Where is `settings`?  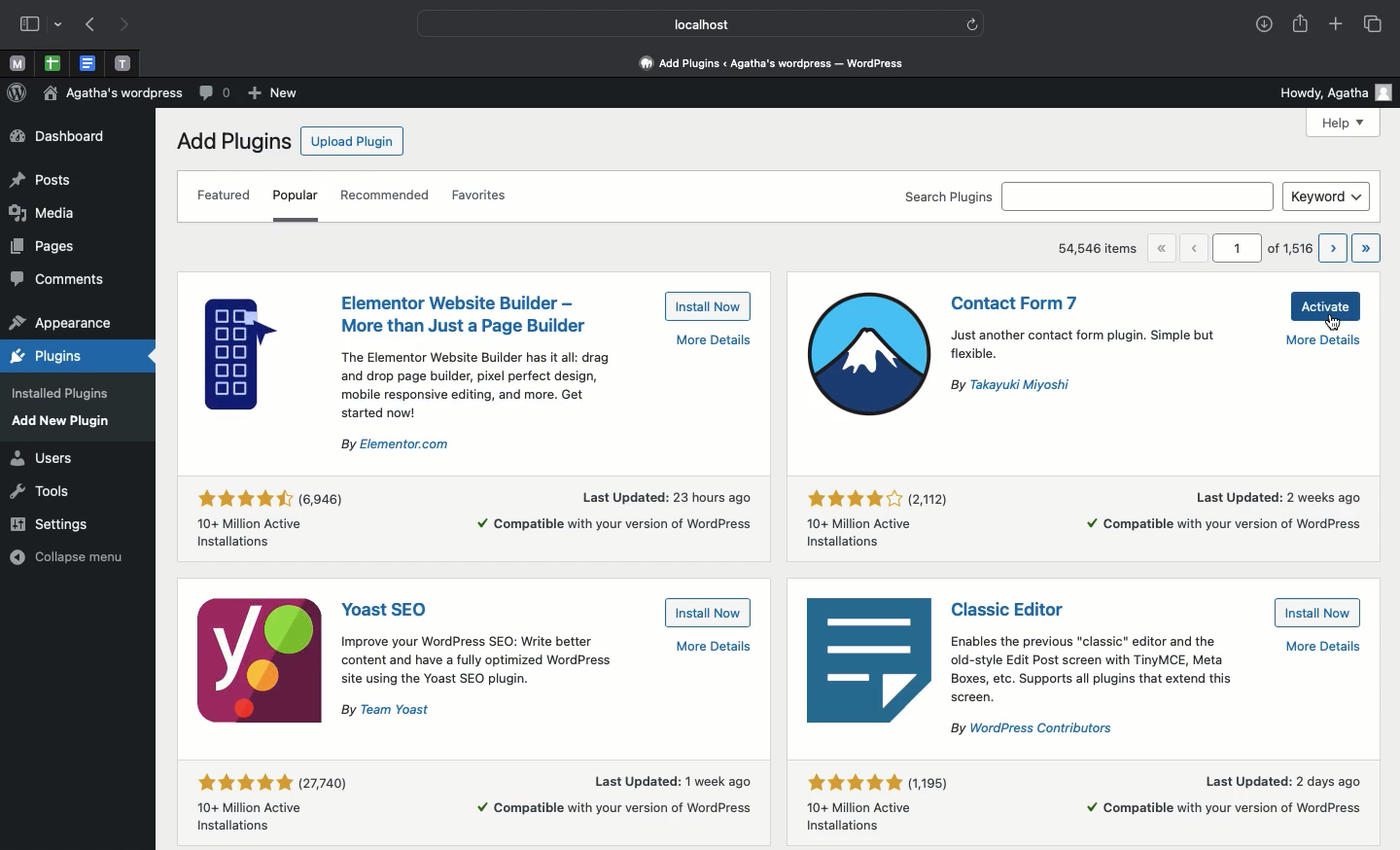 settings is located at coordinates (50, 523).